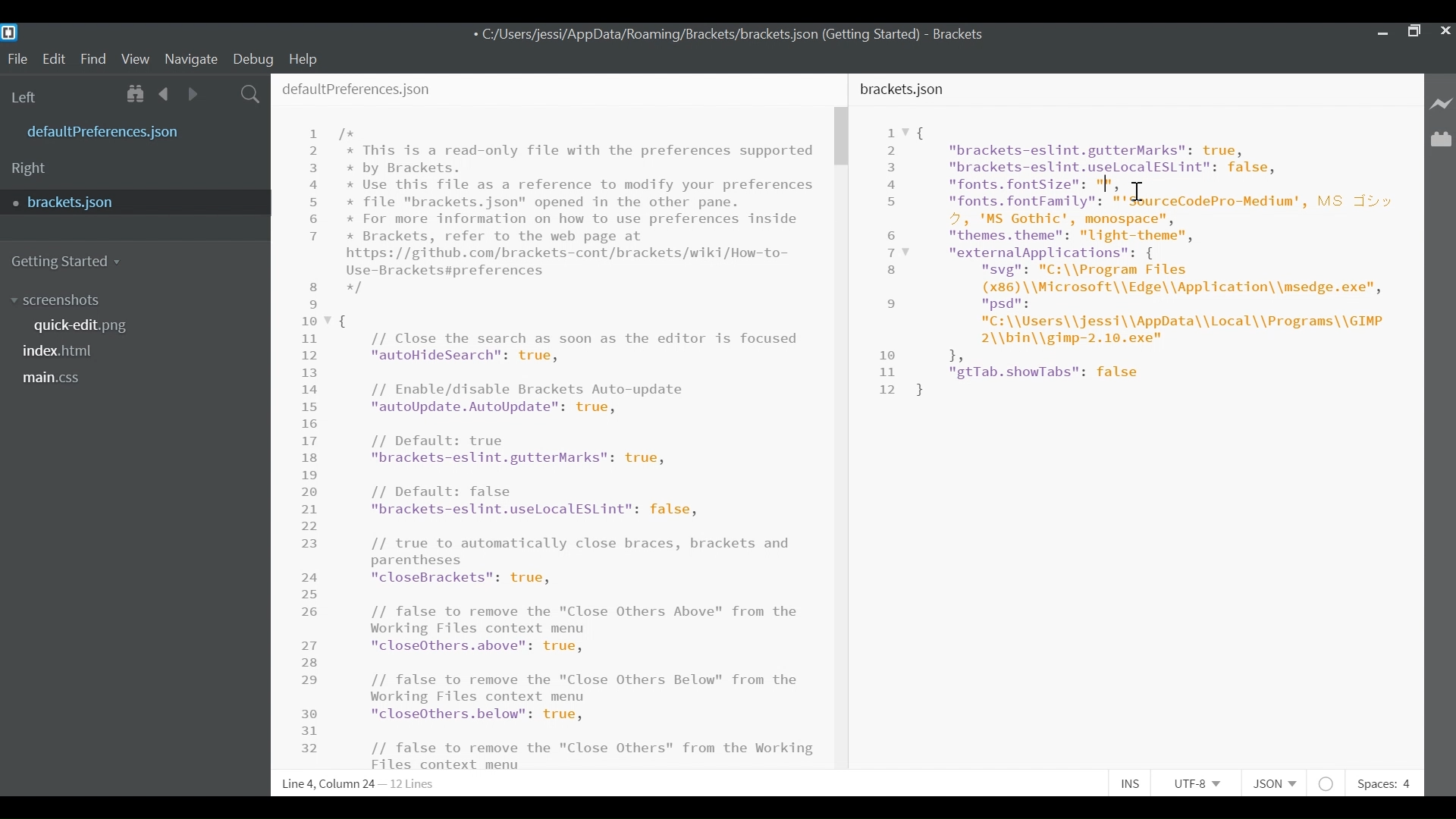  Describe the element at coordinates (250, 94) in the screenshot. I see `Find in files` at that location.